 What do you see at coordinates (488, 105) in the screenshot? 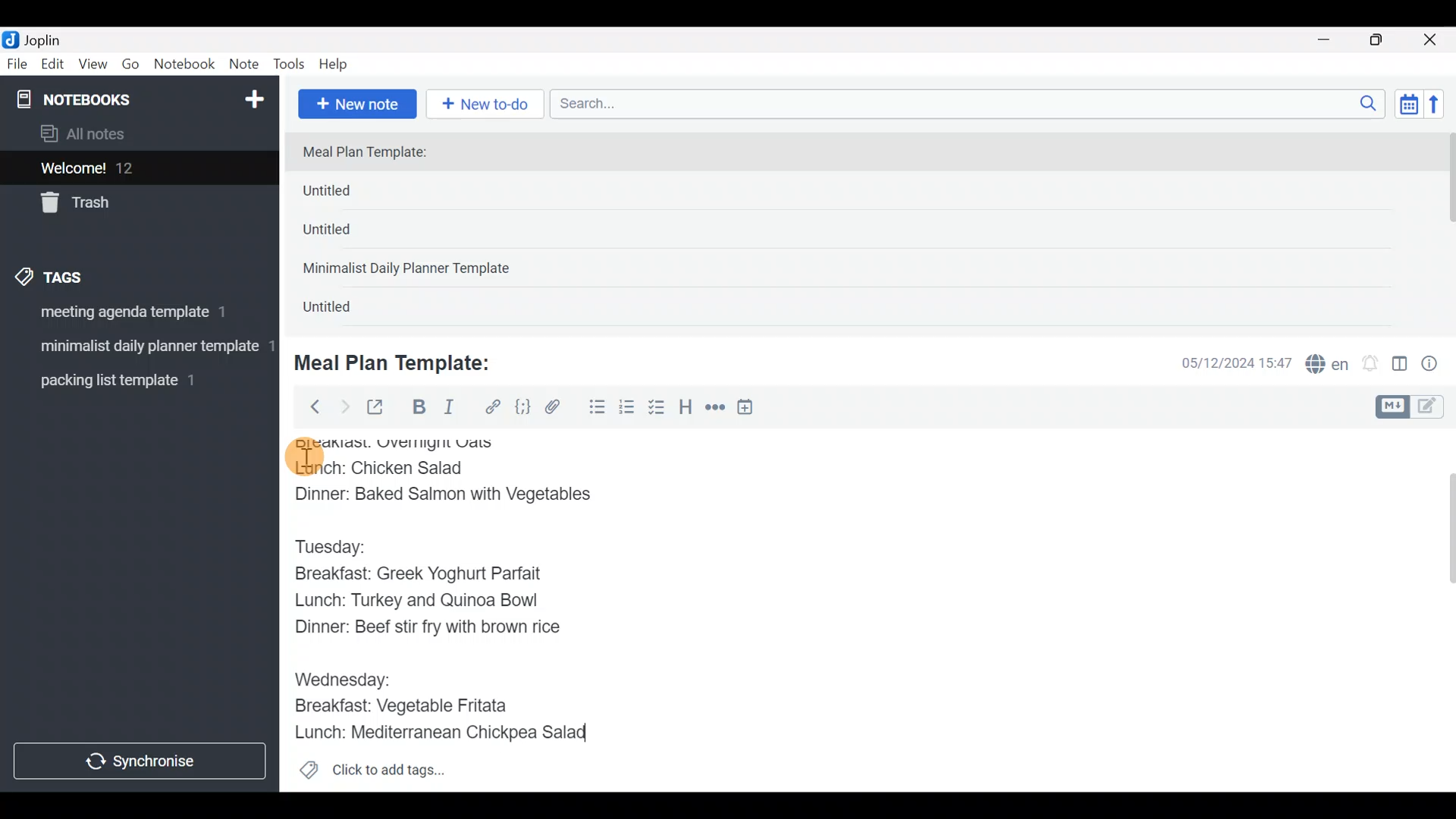
I see `New to-do` at bounding box center [488, 105].